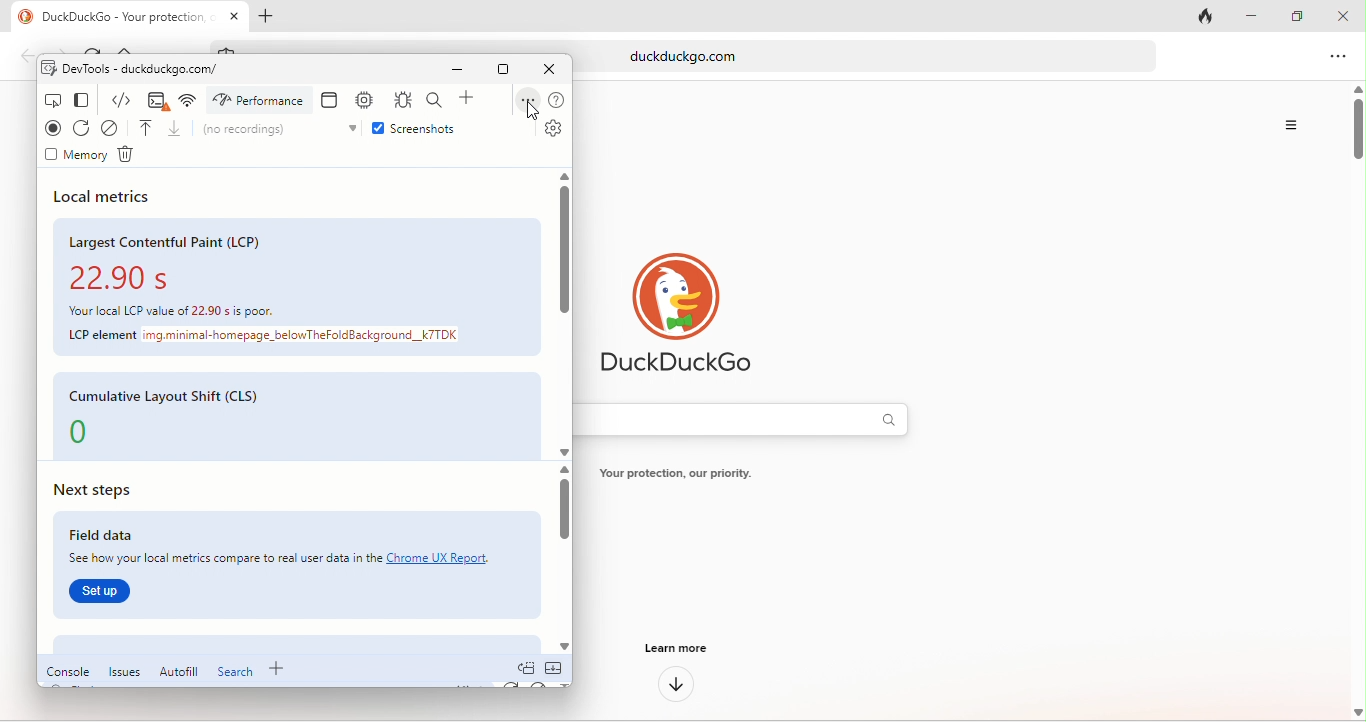 This screenshot has width=1366, height=722. I want to click on add, so click(269, 16).